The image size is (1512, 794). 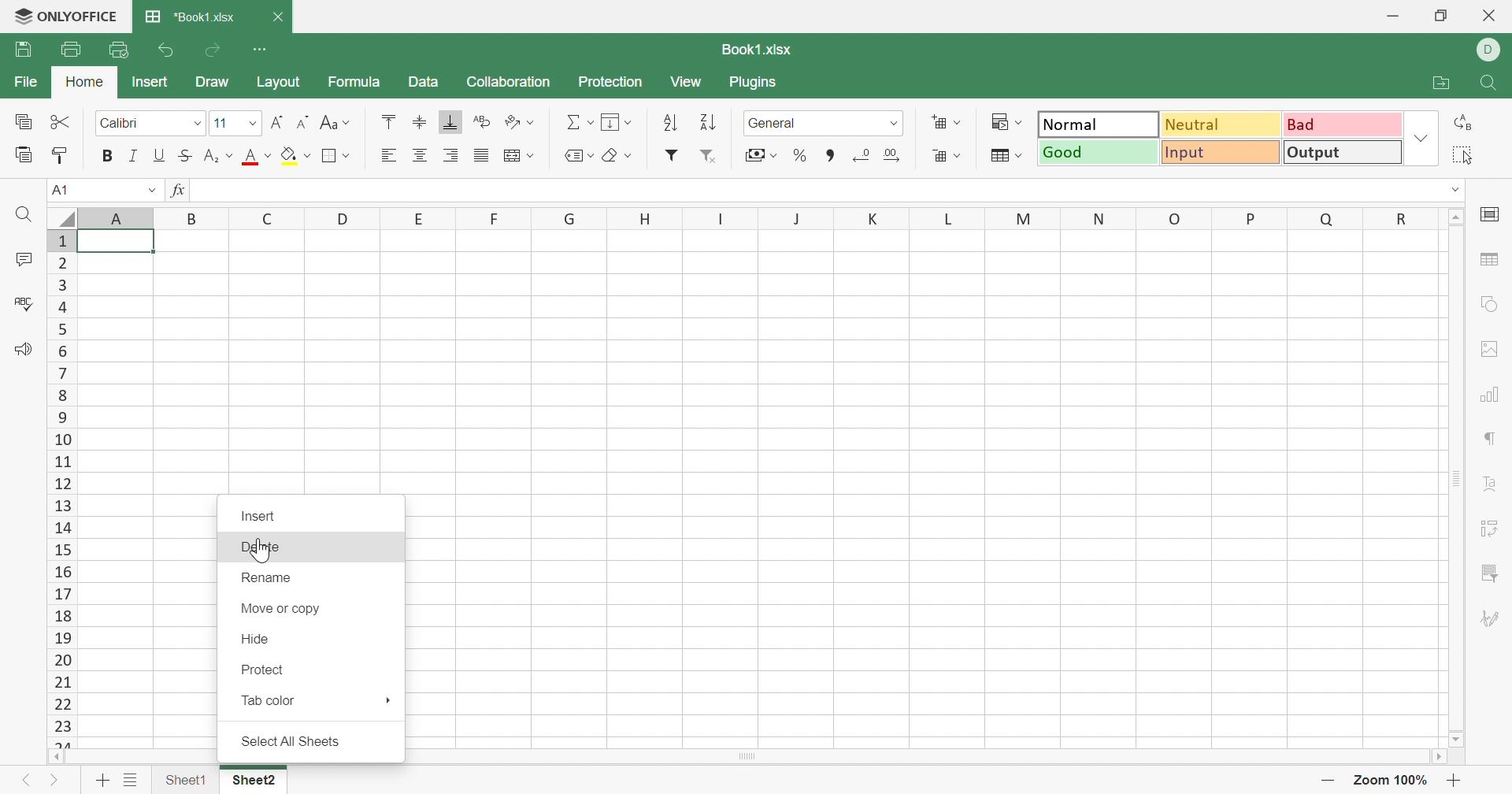 What do you see at coordinates (254, 124) in the screenshot?
I see `Drop Down` at bounding box center [254, 124].